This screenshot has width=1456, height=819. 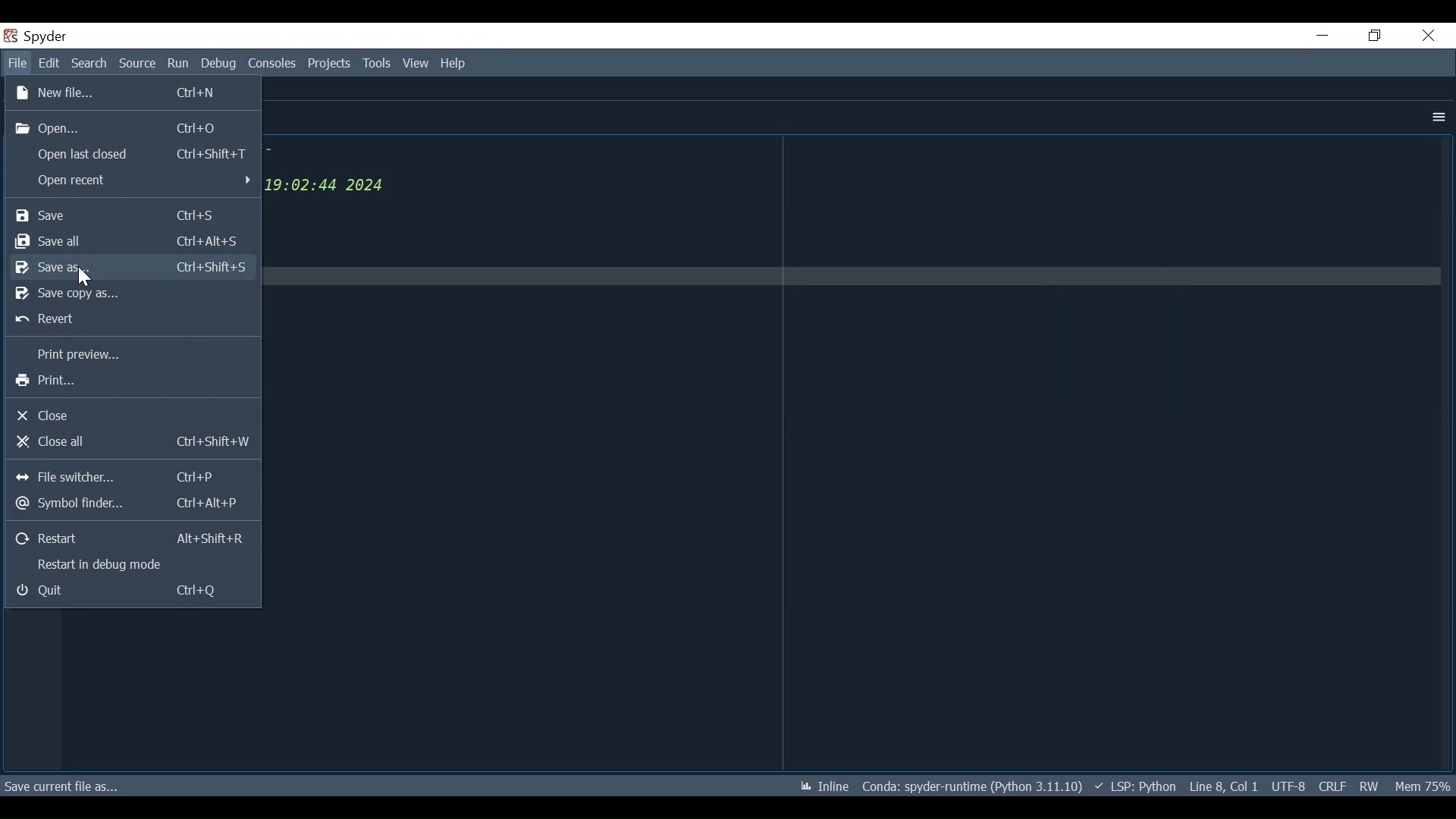 I want to click on New File, so click(x=133, y=93).